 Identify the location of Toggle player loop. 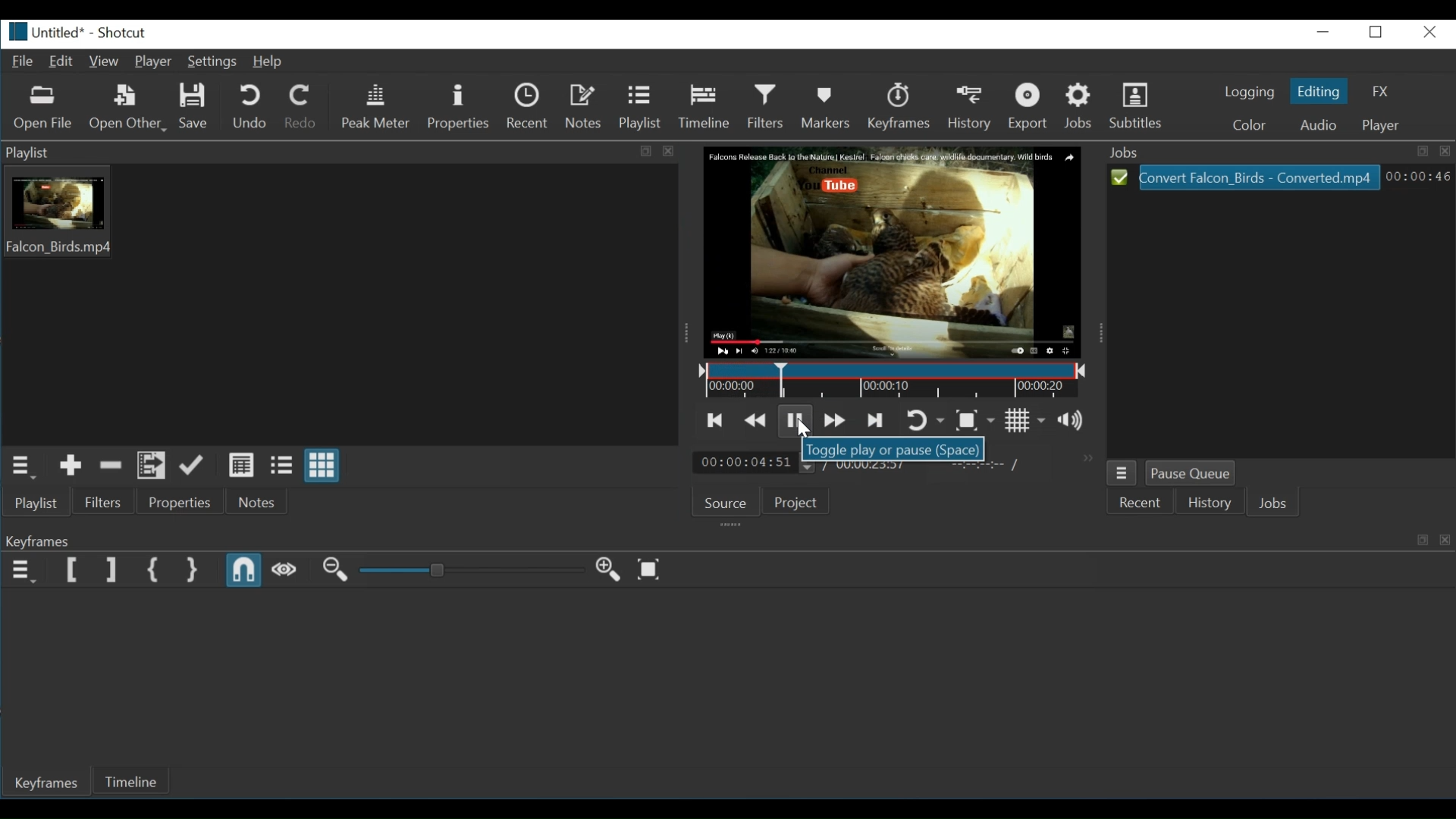
(923, 421).